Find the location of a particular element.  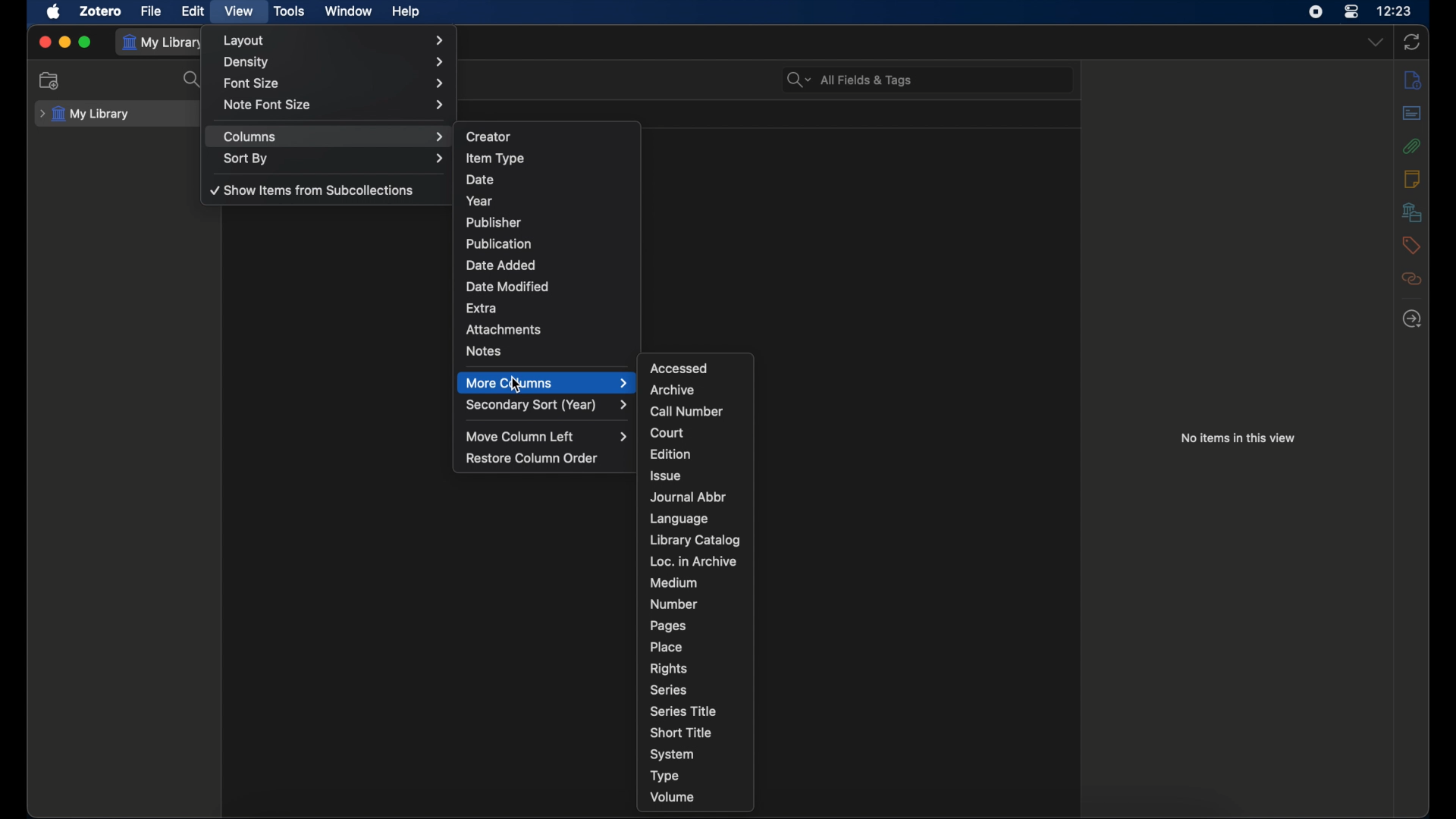

layout is located at coordinates (335, 40).